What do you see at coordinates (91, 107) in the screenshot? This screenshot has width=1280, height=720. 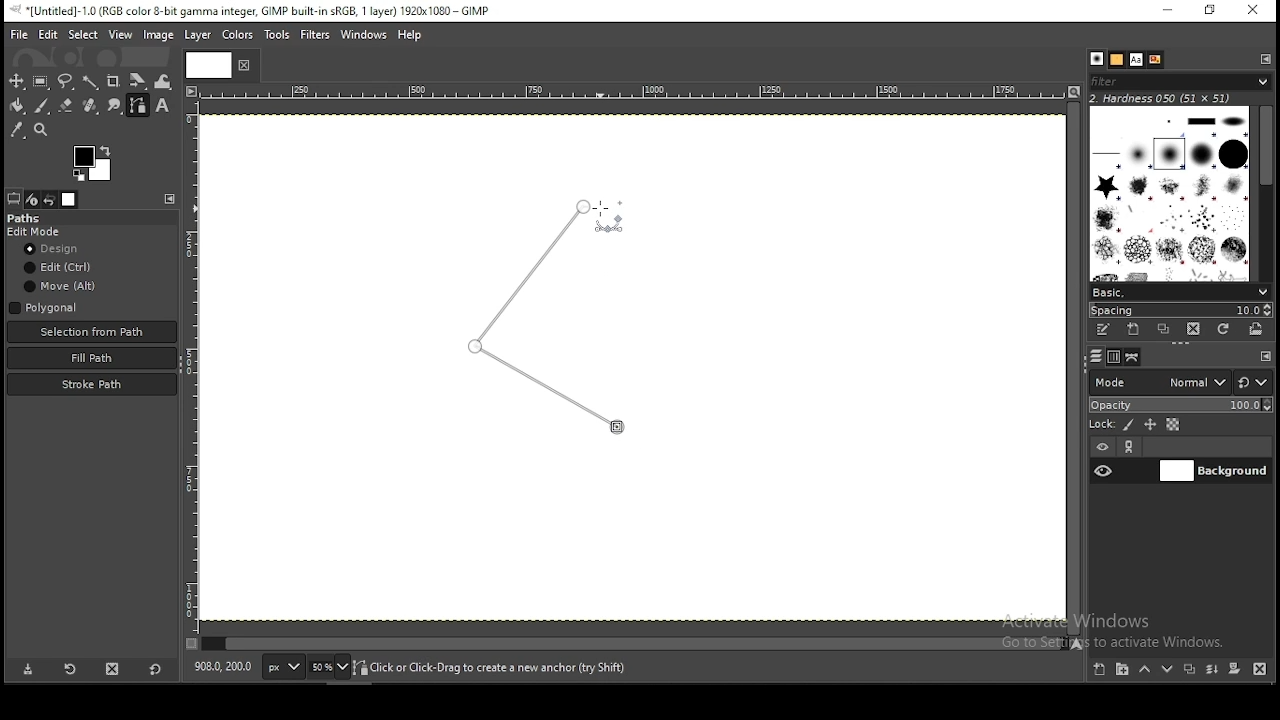 I see `heal tool` at bounding box center [91, 107].